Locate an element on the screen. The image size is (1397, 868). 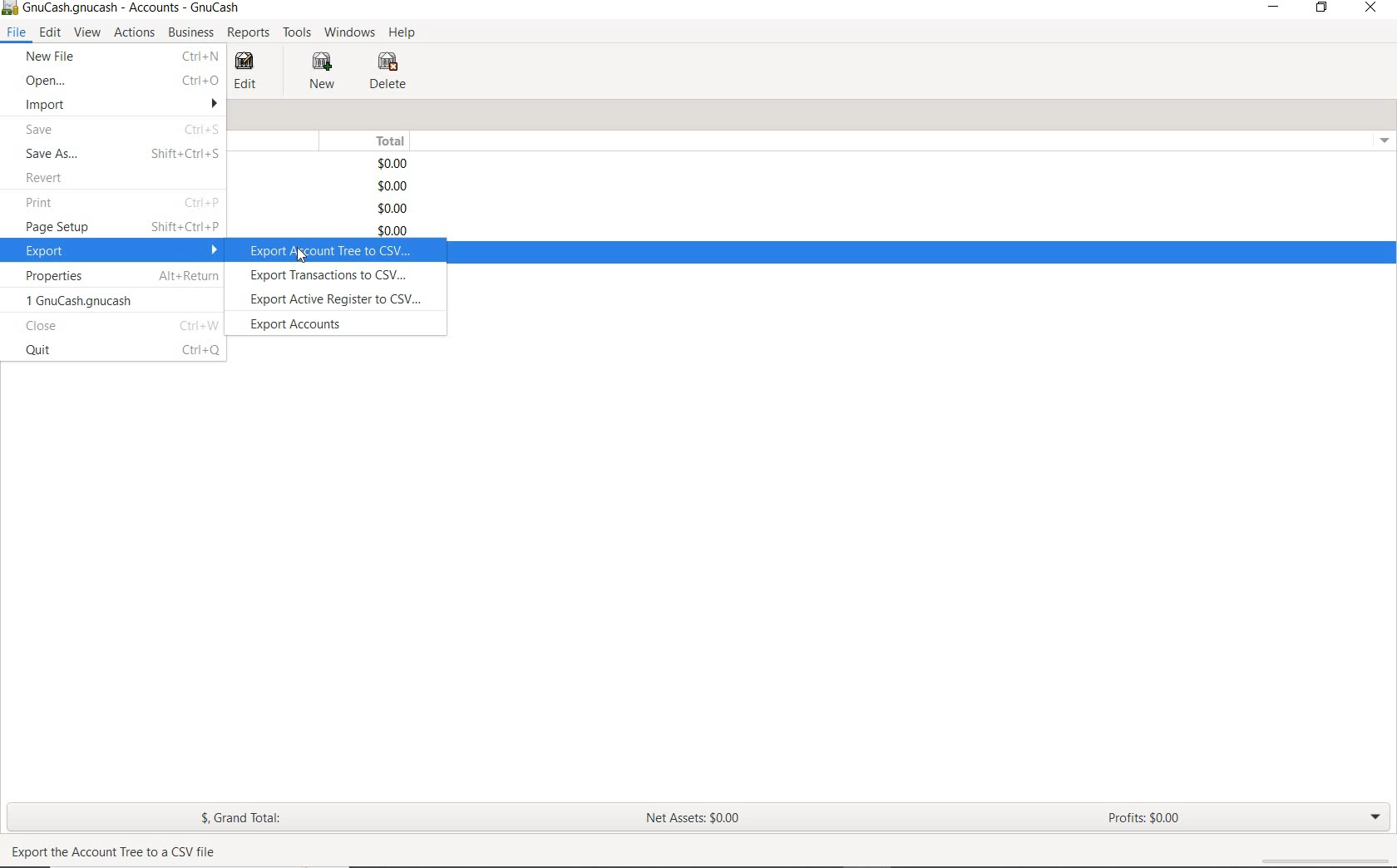
export accounts is located at coordinates (315, 324).